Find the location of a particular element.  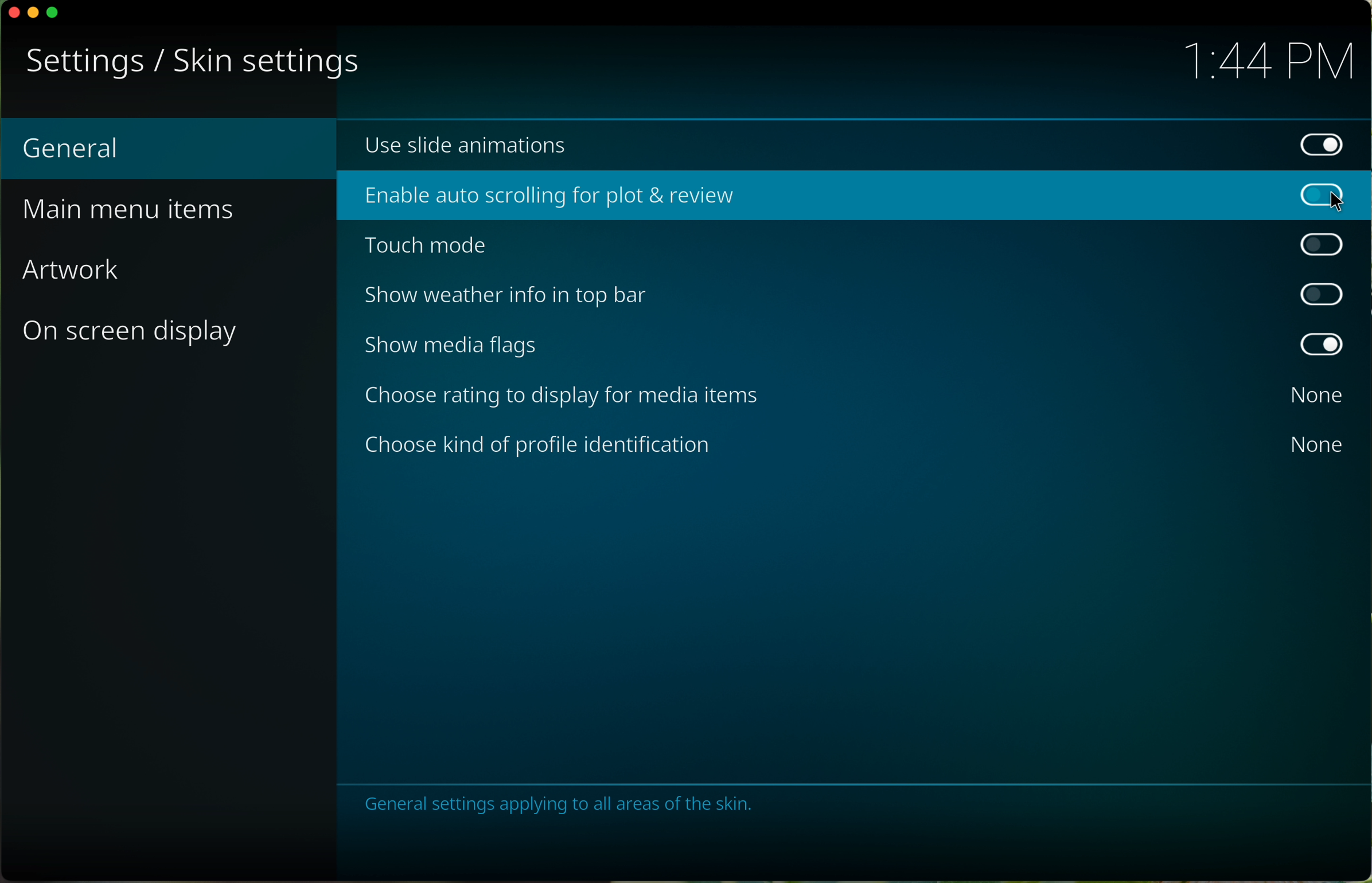

none choose kind of profile identification is located at coordinates (849, 444).